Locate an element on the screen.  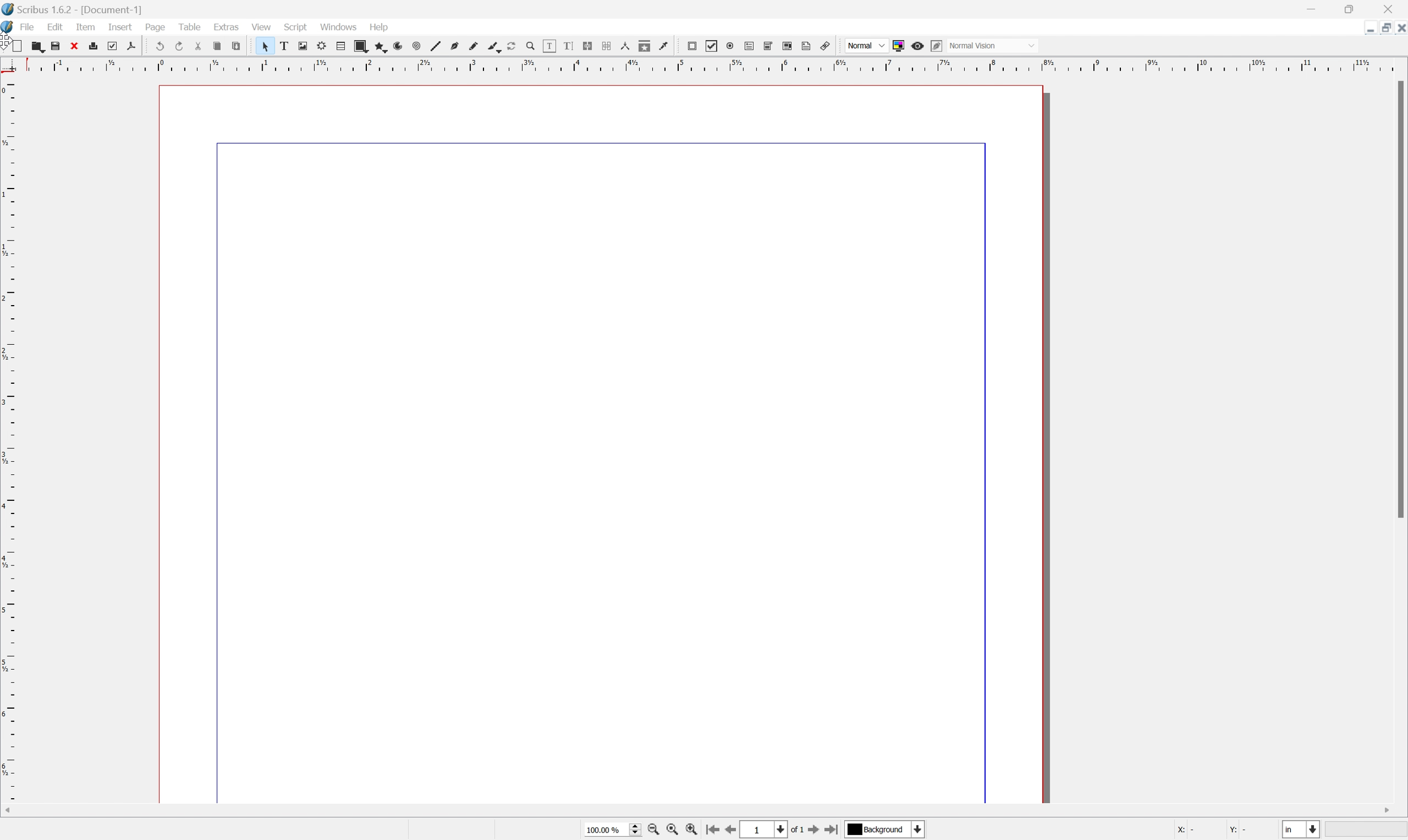
go to next page is located at coordinates (811, 830).